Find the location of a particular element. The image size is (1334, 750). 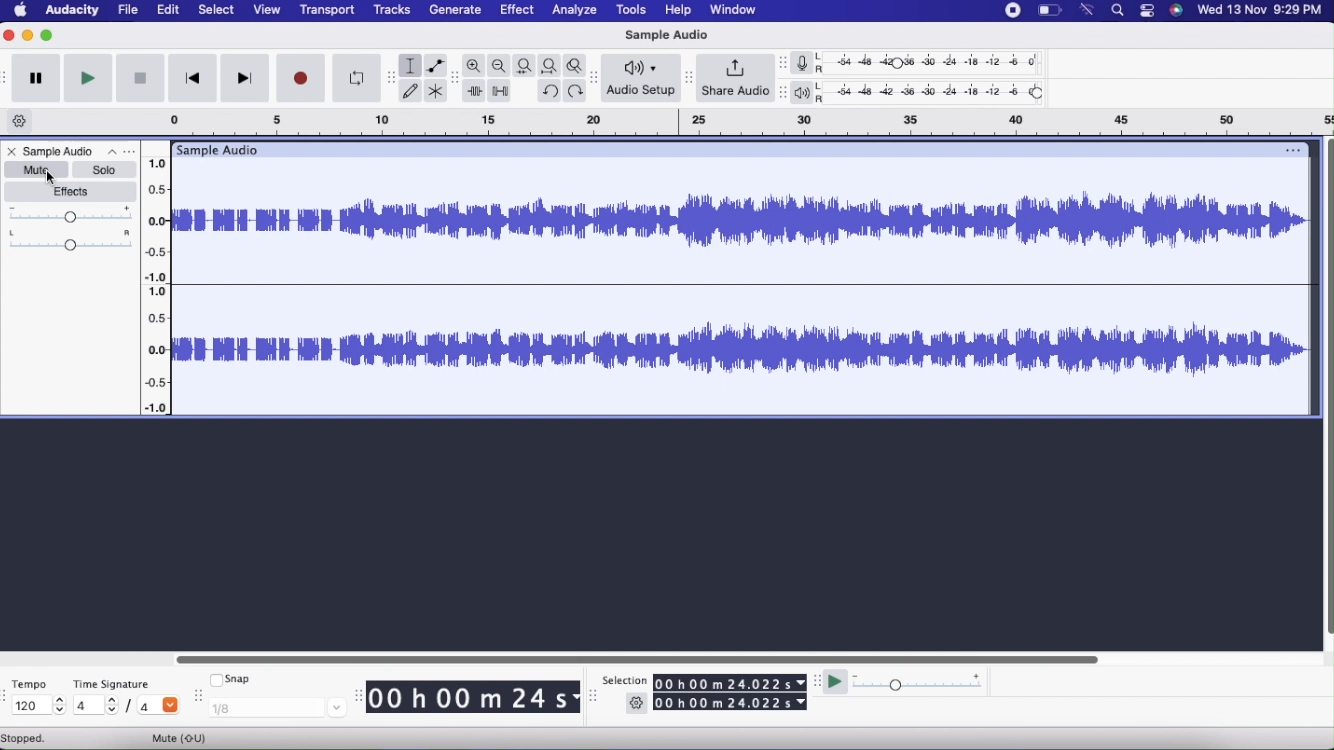

Record meter is located at coordinates (807, 62).